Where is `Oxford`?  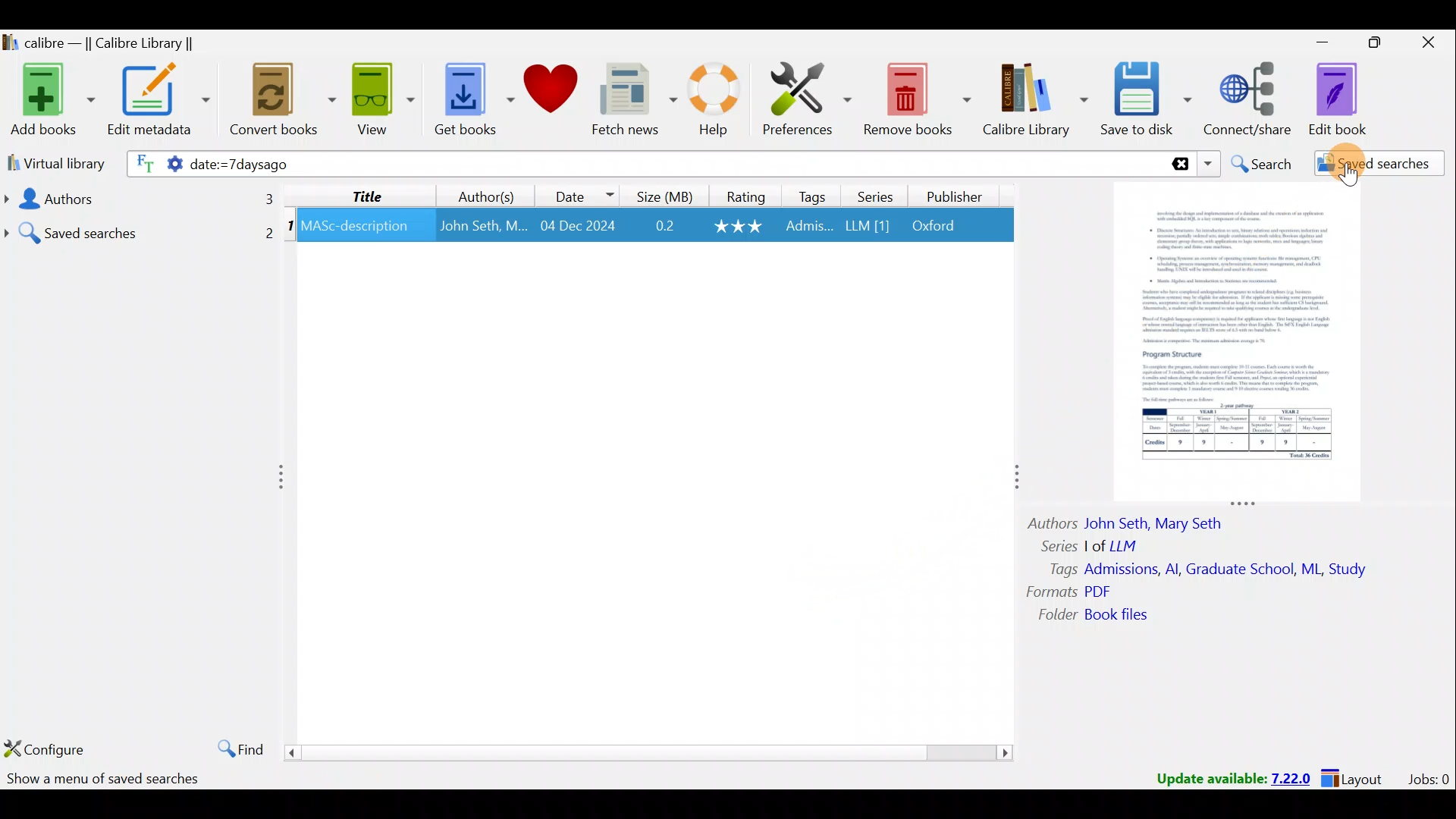
Oxford is located at coordinates (941, 226).